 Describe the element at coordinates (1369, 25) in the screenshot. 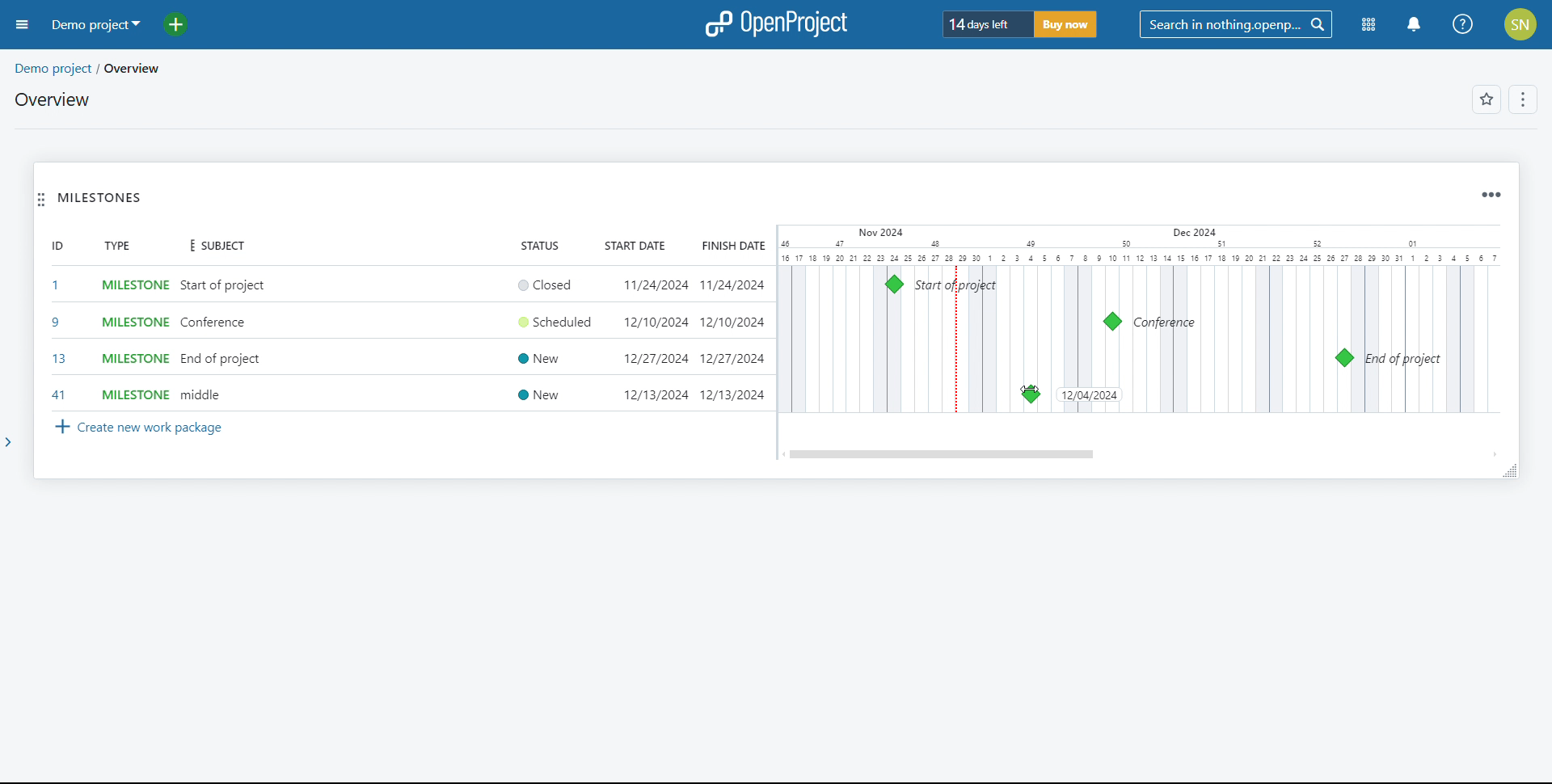

I see `modules` at that location.